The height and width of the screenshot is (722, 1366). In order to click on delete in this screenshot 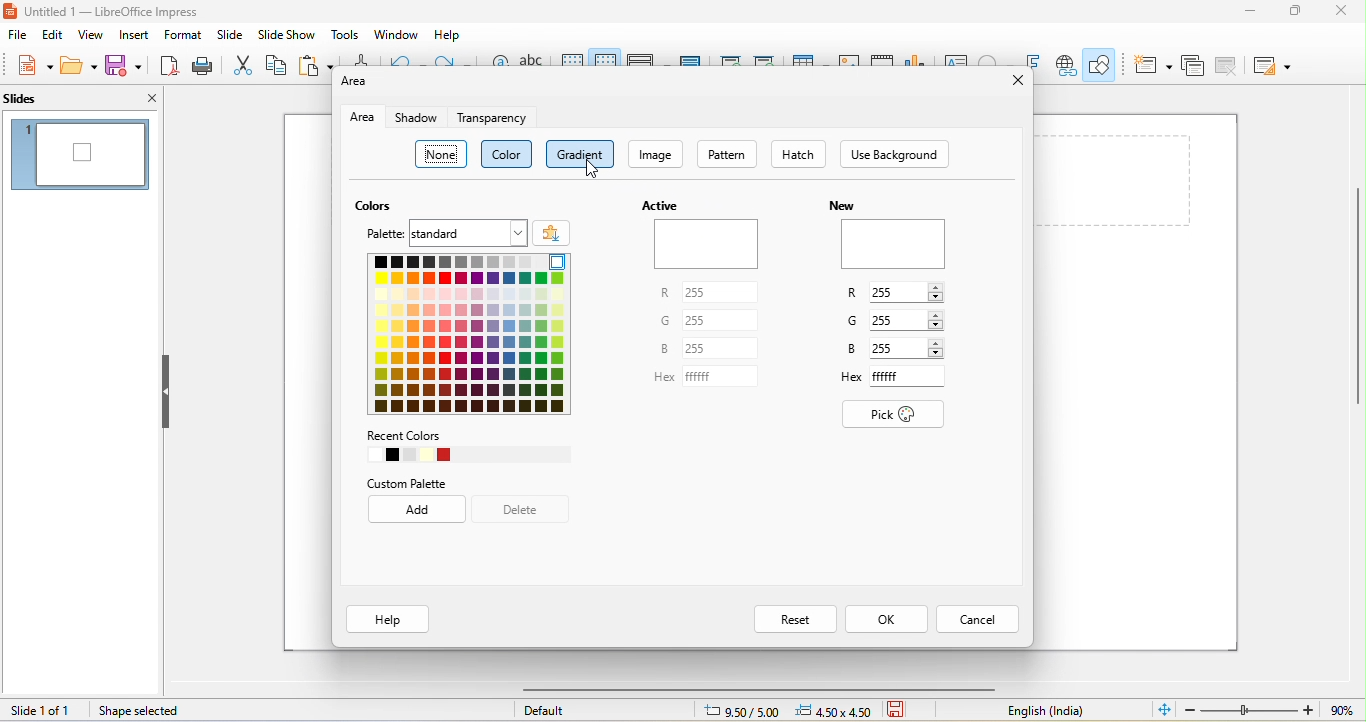, I will do `click(521, 511)`.